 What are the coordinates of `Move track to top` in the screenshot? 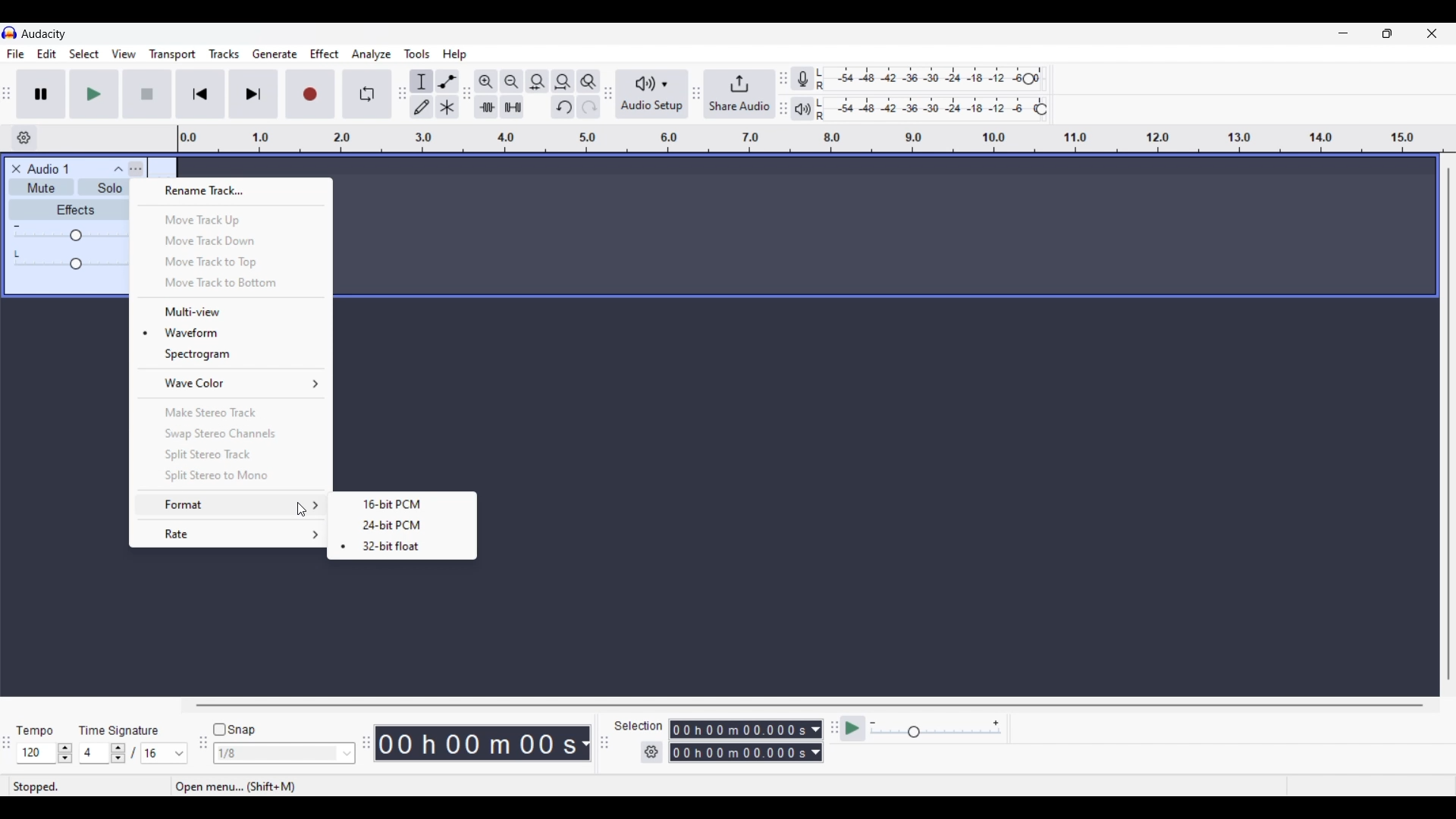 It's located at (230, 262).